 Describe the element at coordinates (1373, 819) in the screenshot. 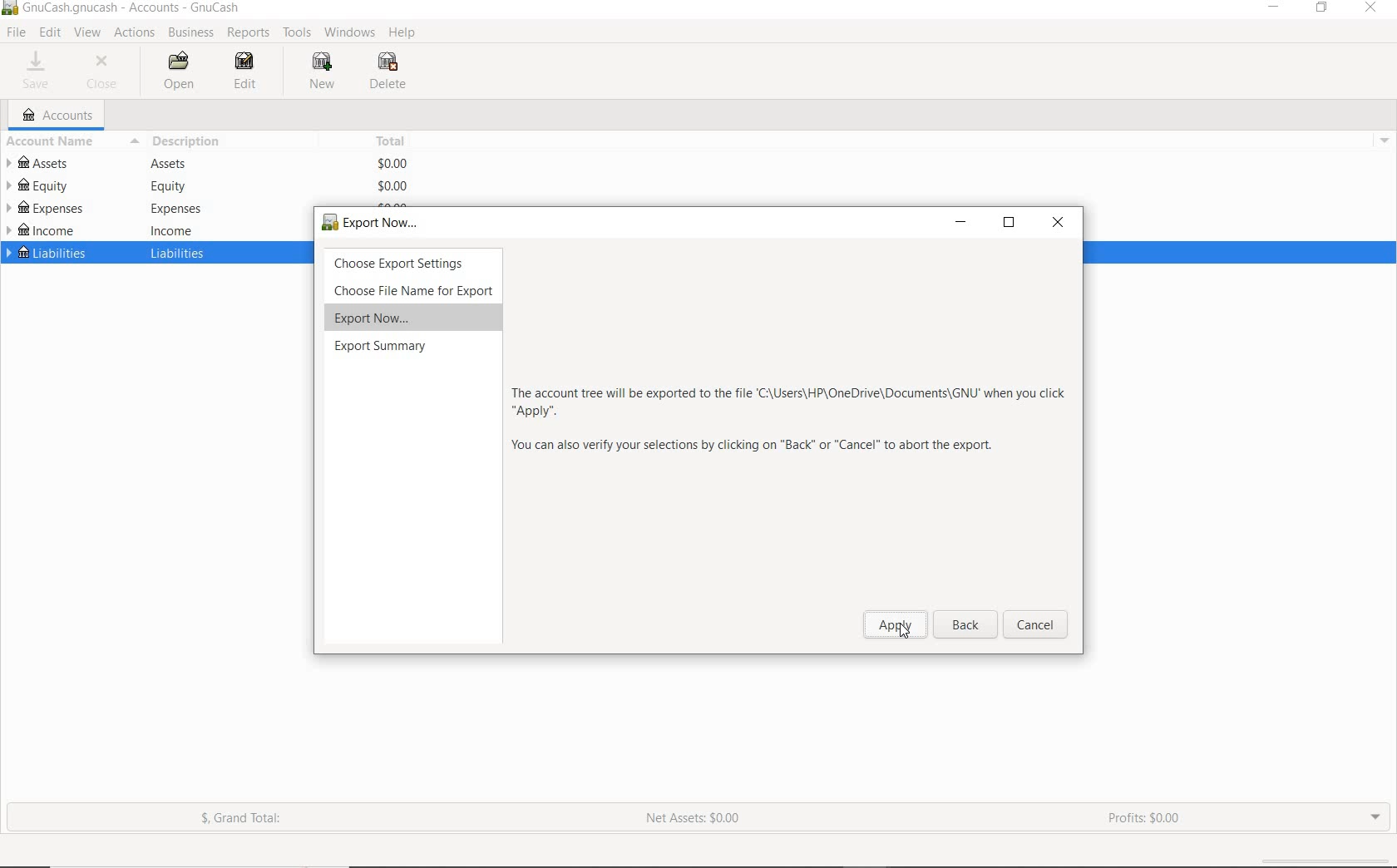

I see `EXPAND` at that location.